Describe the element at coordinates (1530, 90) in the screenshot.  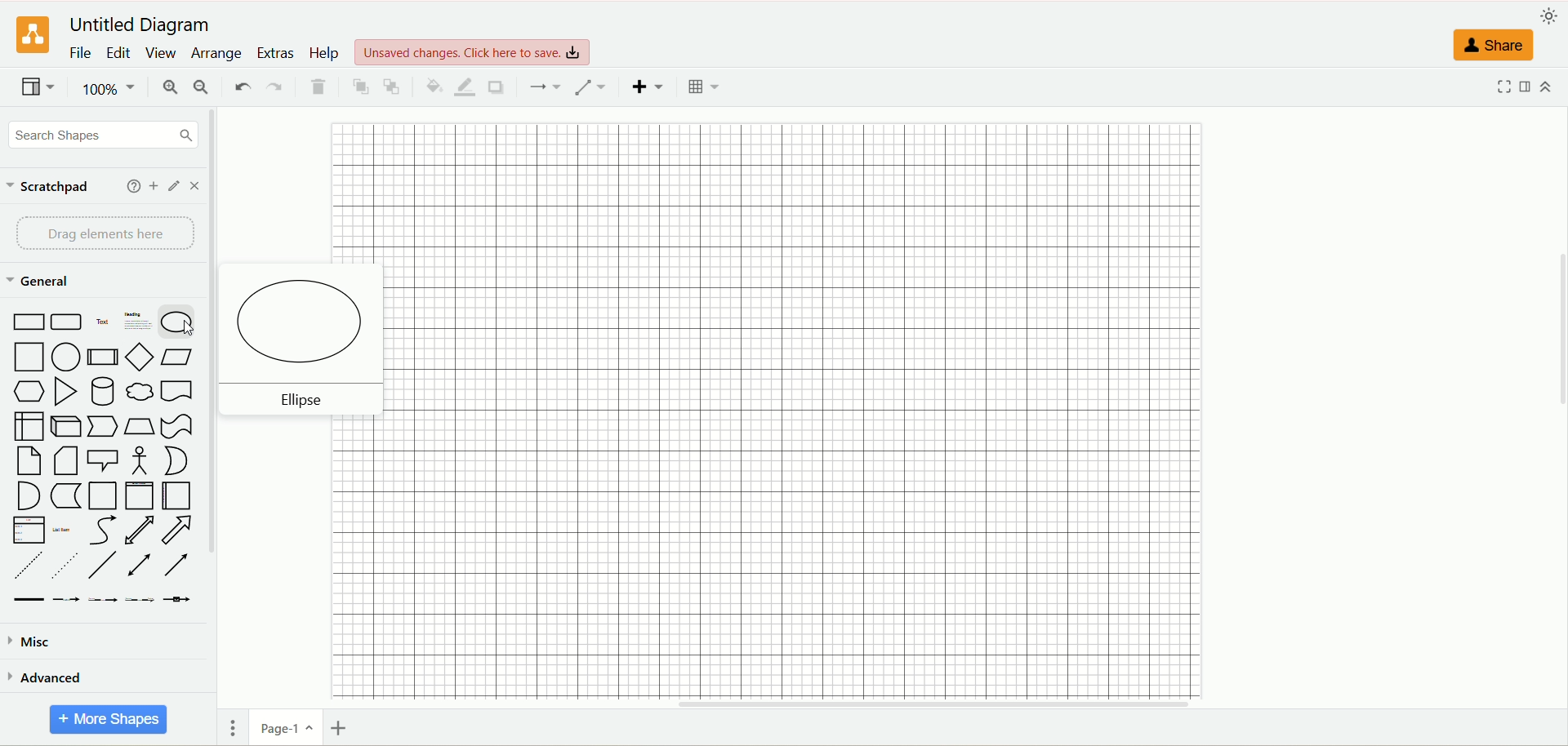
I see `format` at that location.